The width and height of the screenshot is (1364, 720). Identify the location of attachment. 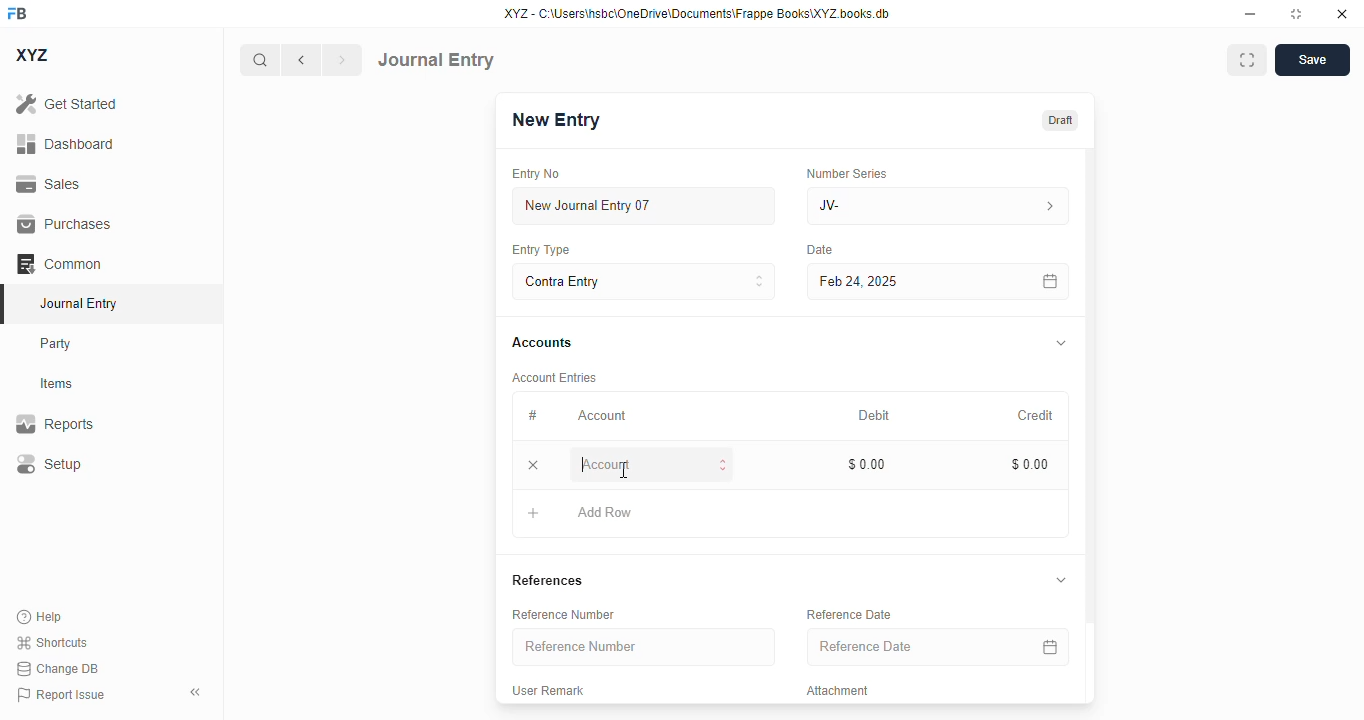
(840, 691).